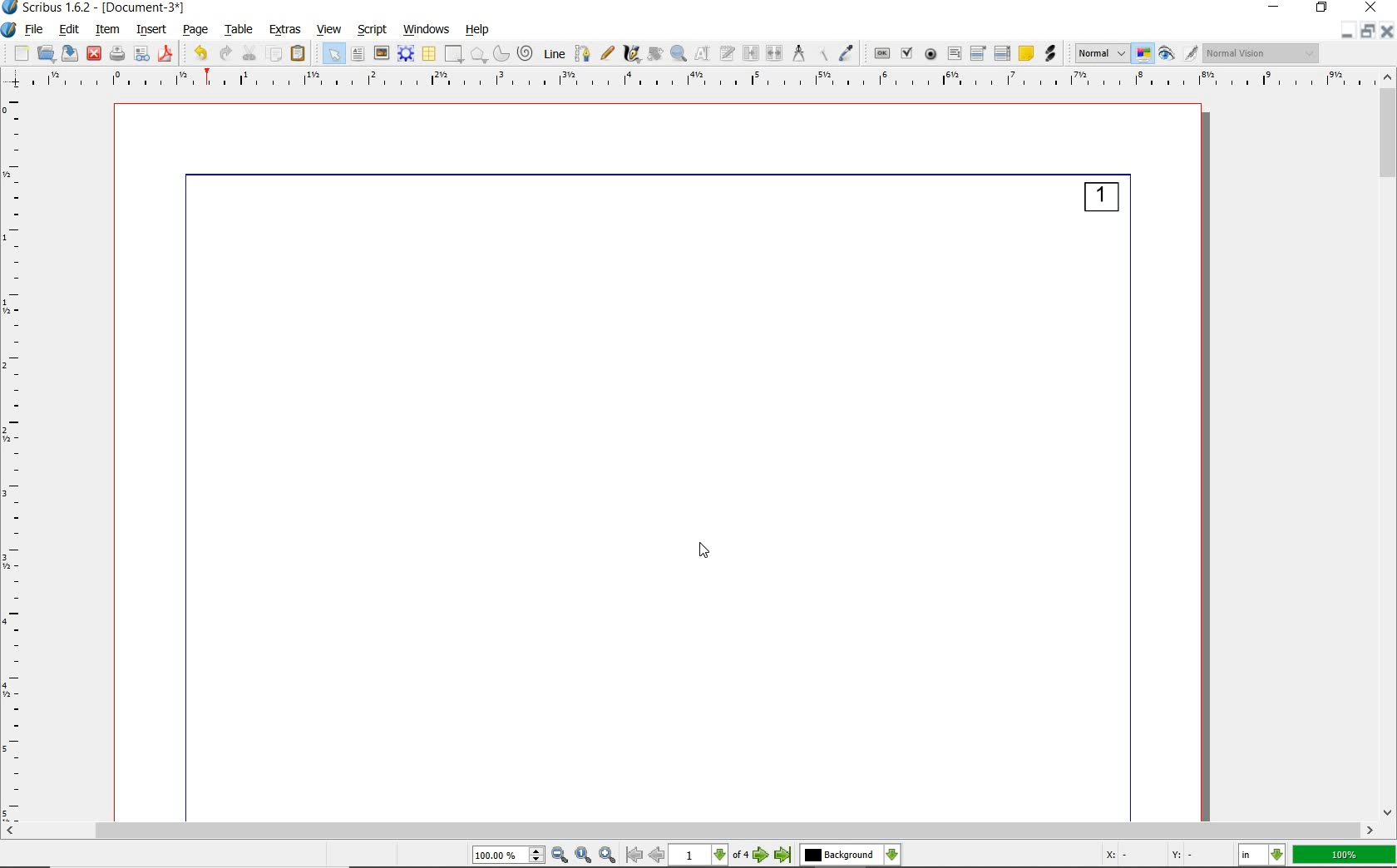  What do you see at coordinates (329, 29) in the screenshot?
I see `view` at bounding box center [329, 29].